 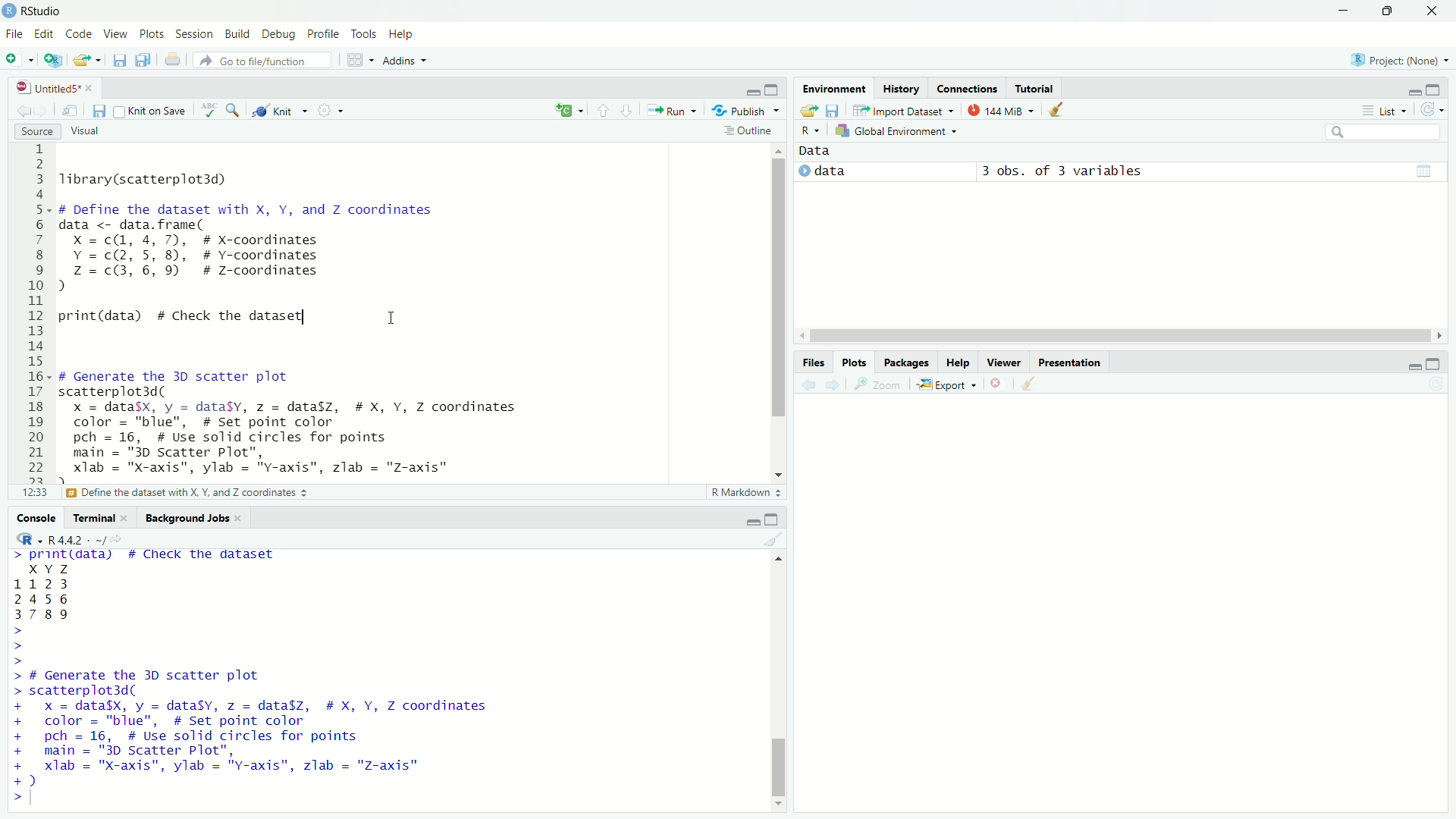 What do you see at coordinates (280, 35) in the screenshot?
I see `debug` at bounding box center [280, 35].